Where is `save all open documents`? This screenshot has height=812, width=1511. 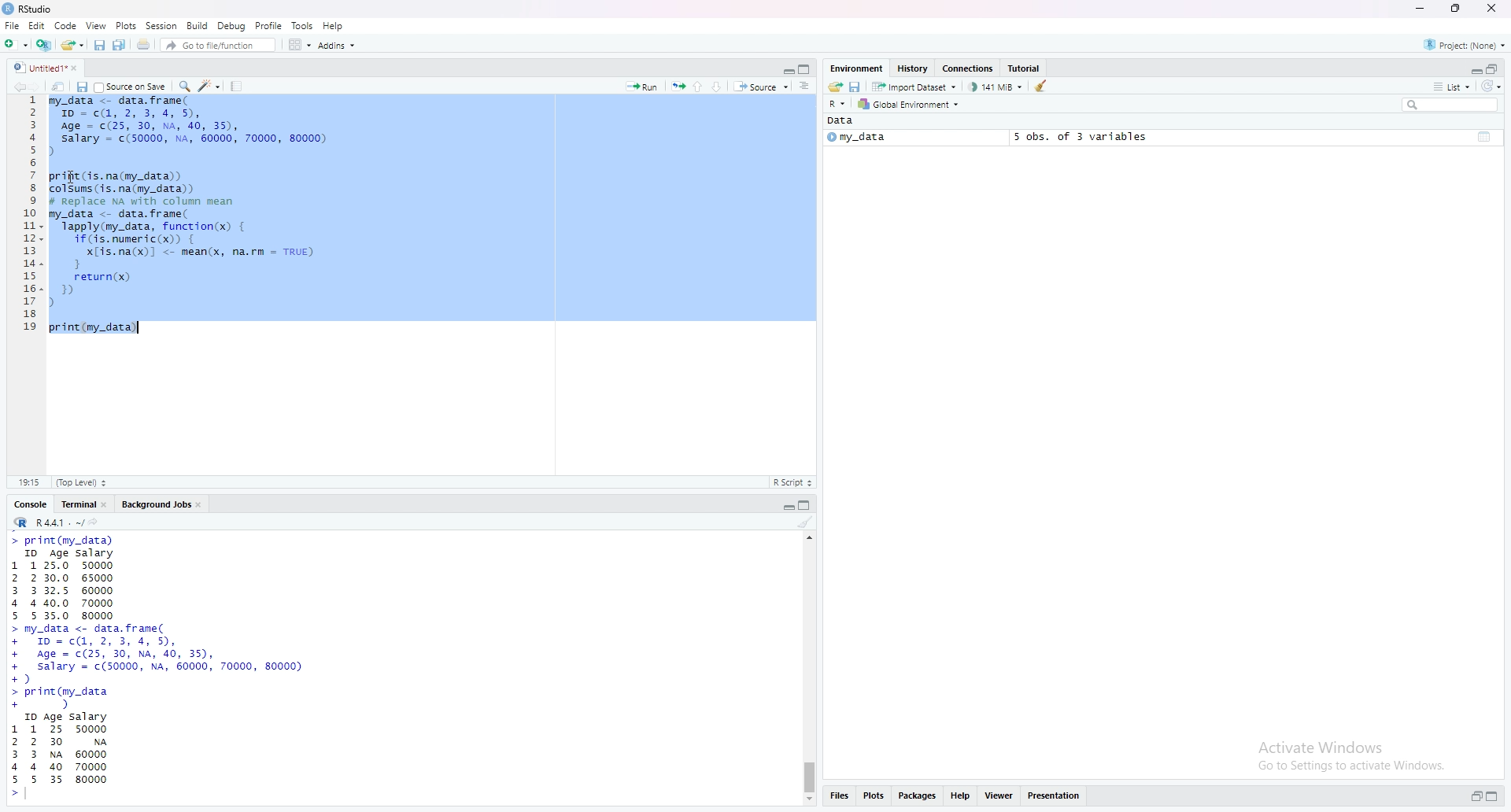 save all open documents is located at coordinates (120, 45).